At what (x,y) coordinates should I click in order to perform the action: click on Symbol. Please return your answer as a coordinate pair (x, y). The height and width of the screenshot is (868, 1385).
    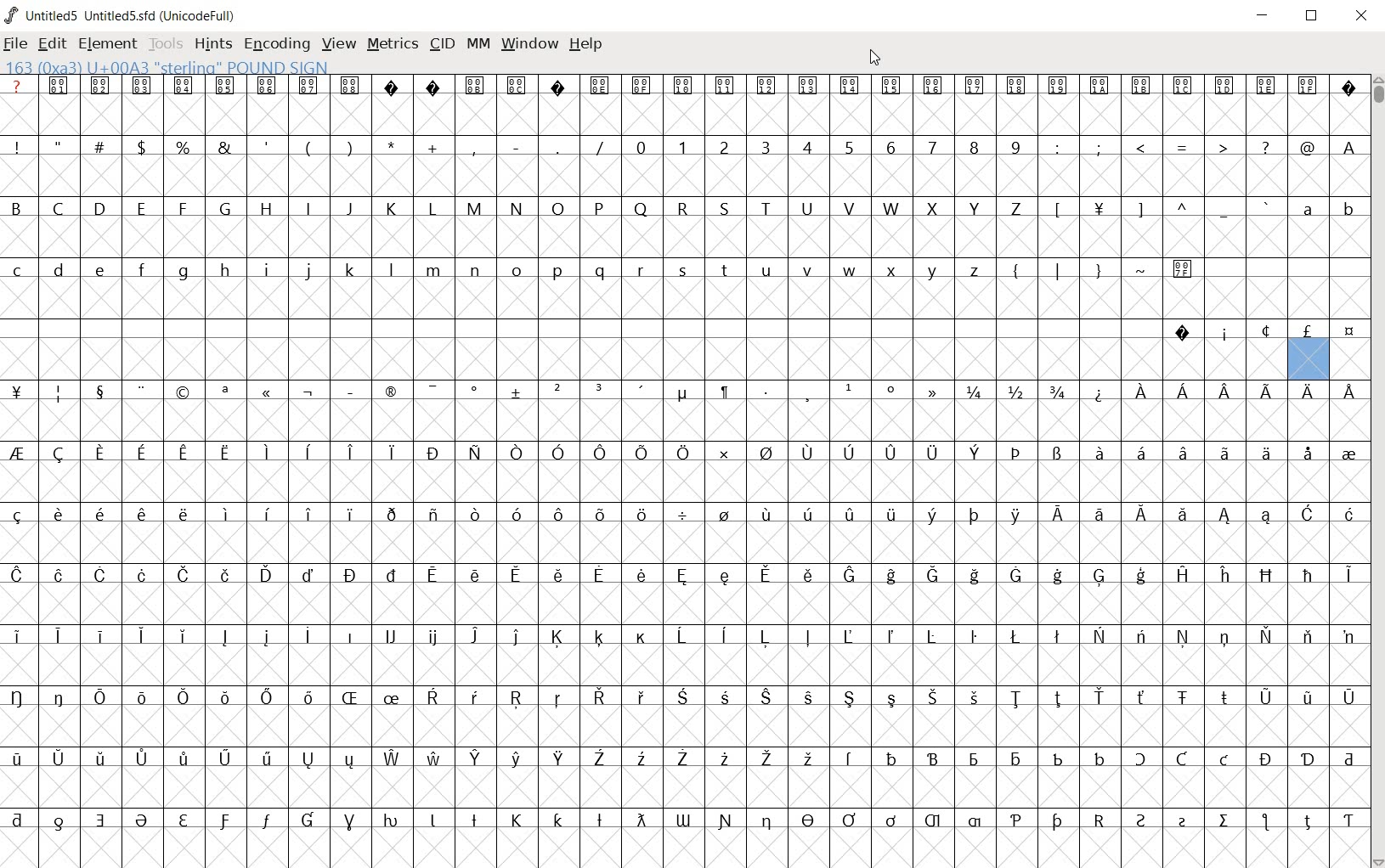
    Looking at the image, I should click on (1141, 637).